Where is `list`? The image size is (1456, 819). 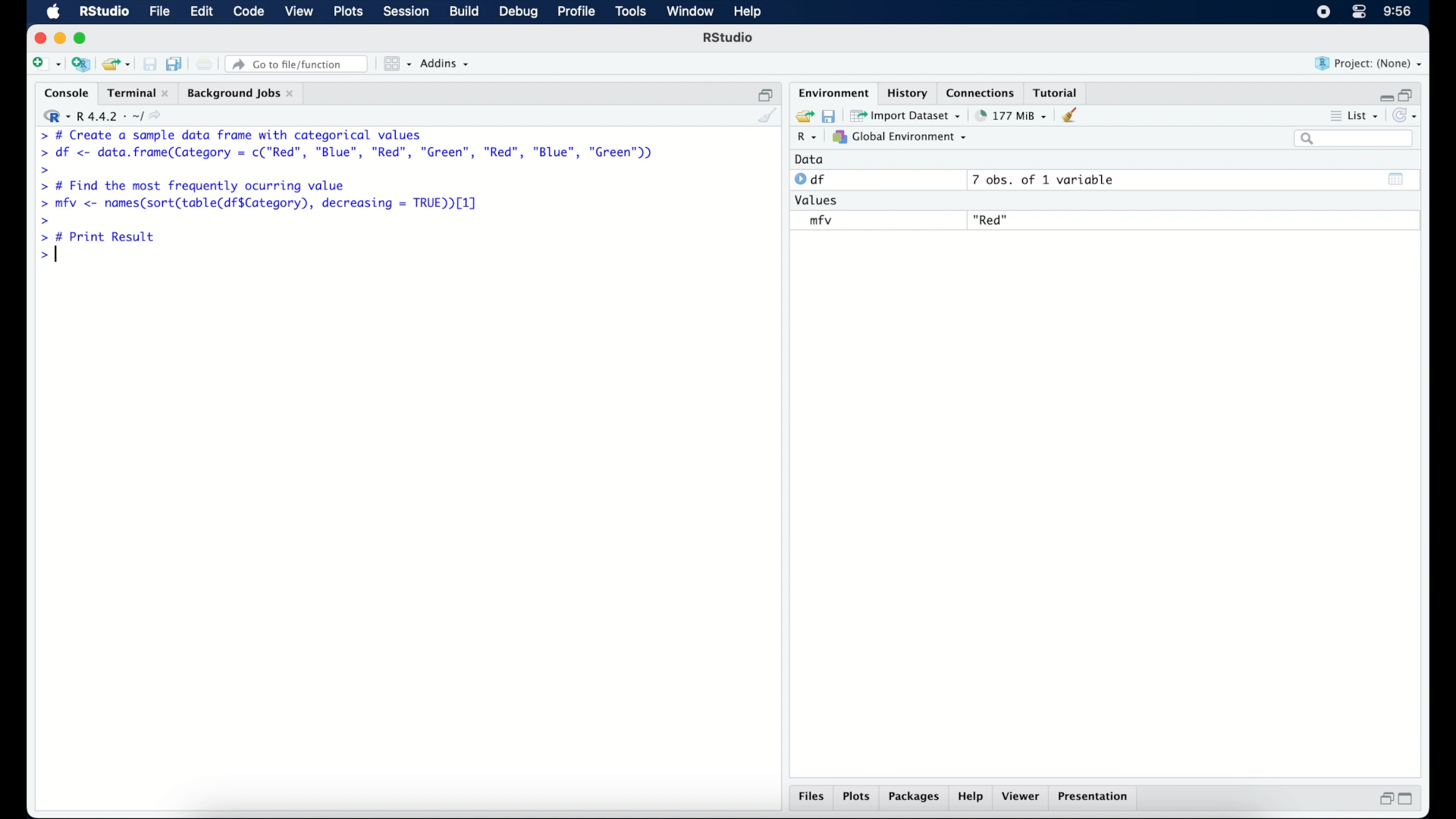 list is located at coordinates (1366, 115).